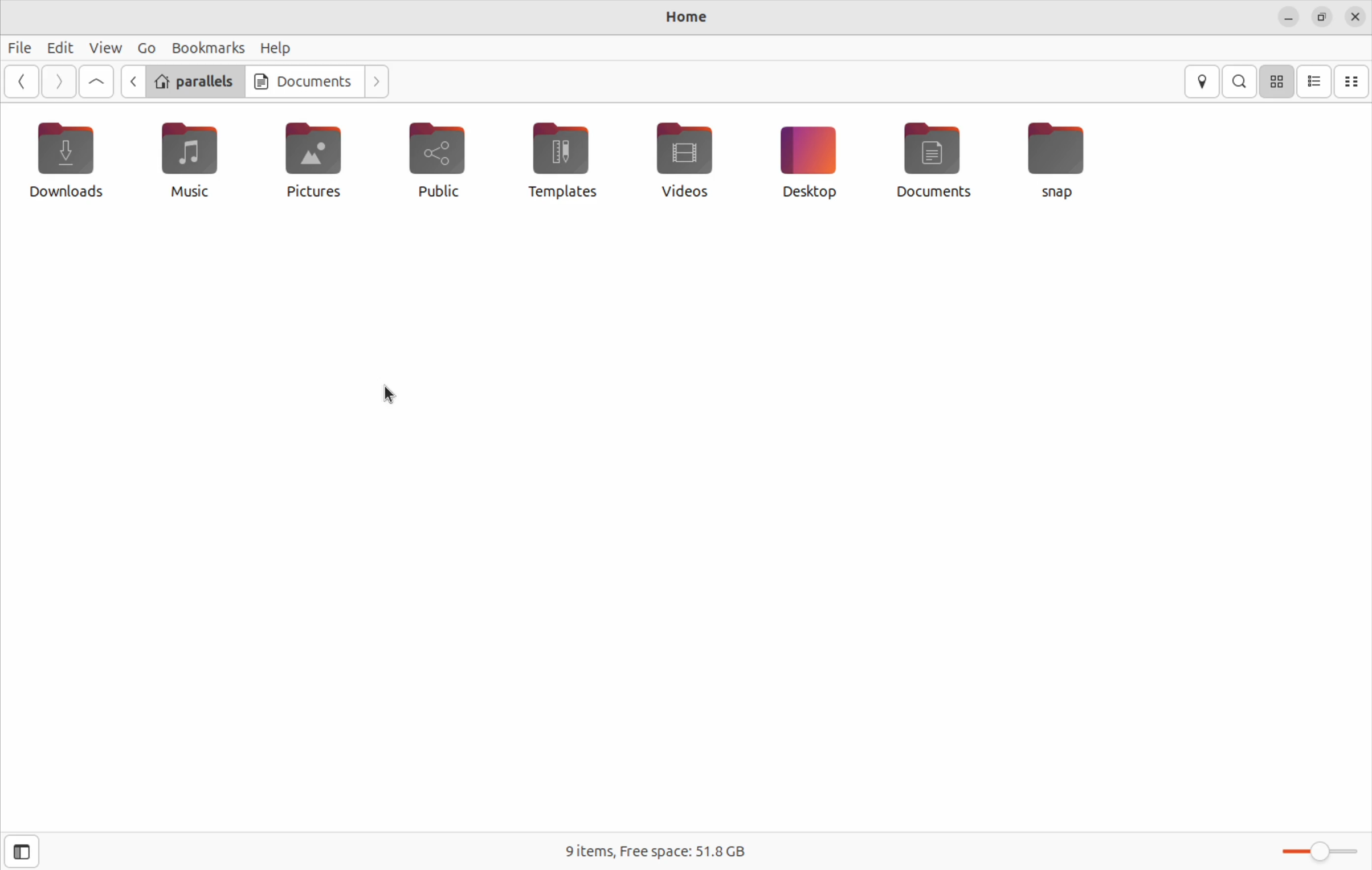  I want to click on open side bar, so click(25, 850).